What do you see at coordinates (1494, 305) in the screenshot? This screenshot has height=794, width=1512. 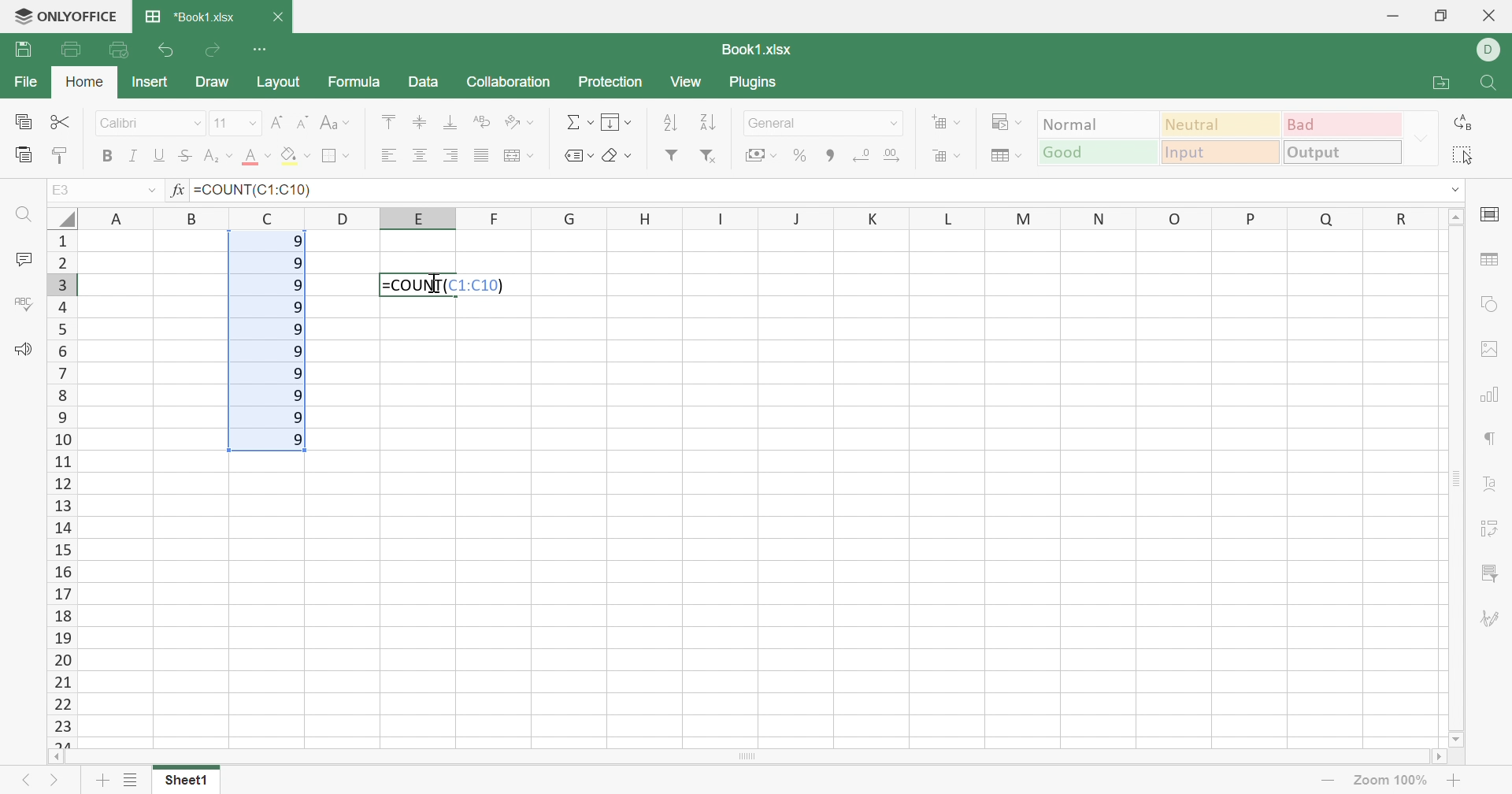 I see `shape settings` at bounding box center [1494, 305].